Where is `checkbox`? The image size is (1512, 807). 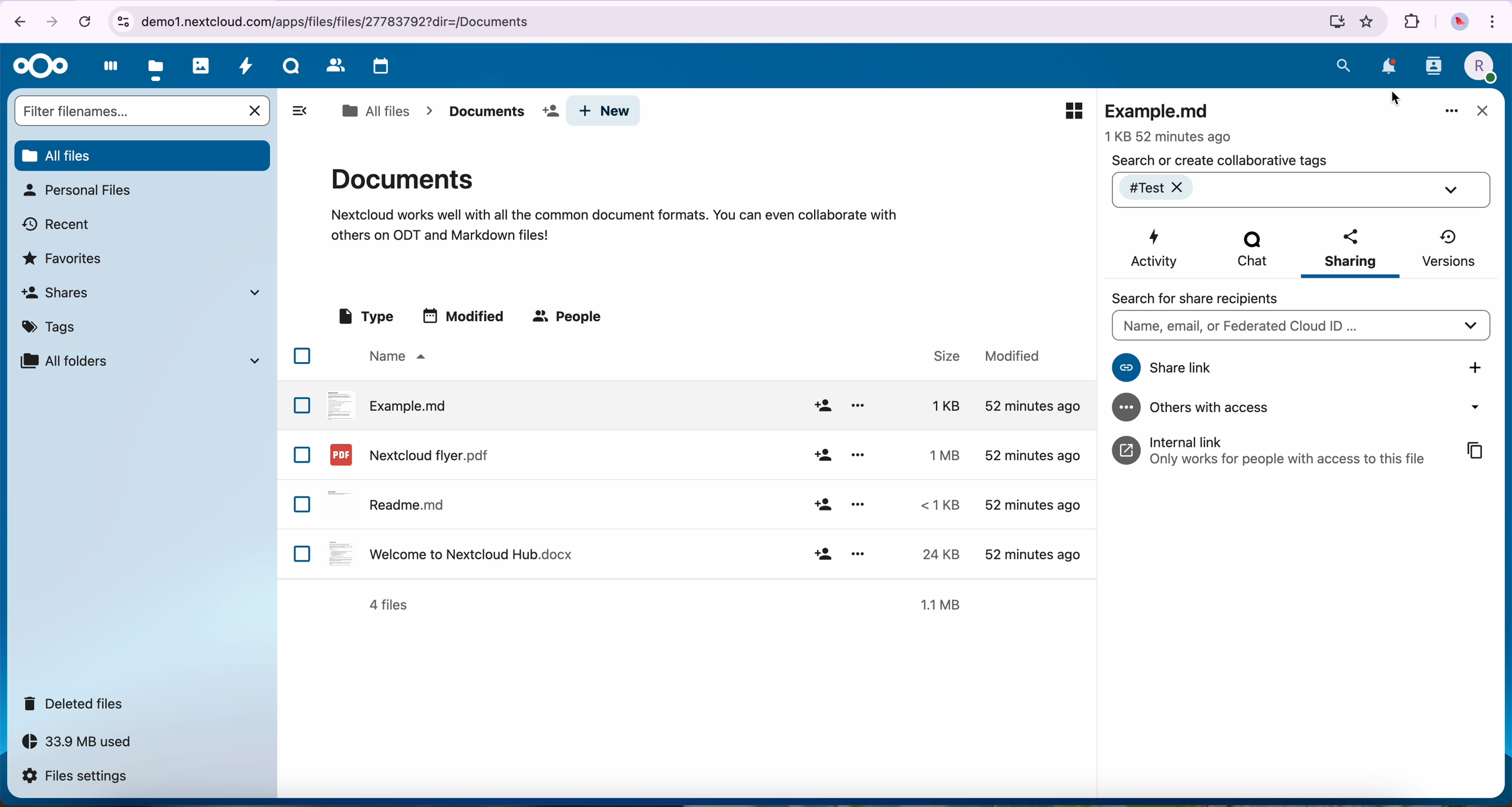
checkbox is located at coordinates (303, 553).